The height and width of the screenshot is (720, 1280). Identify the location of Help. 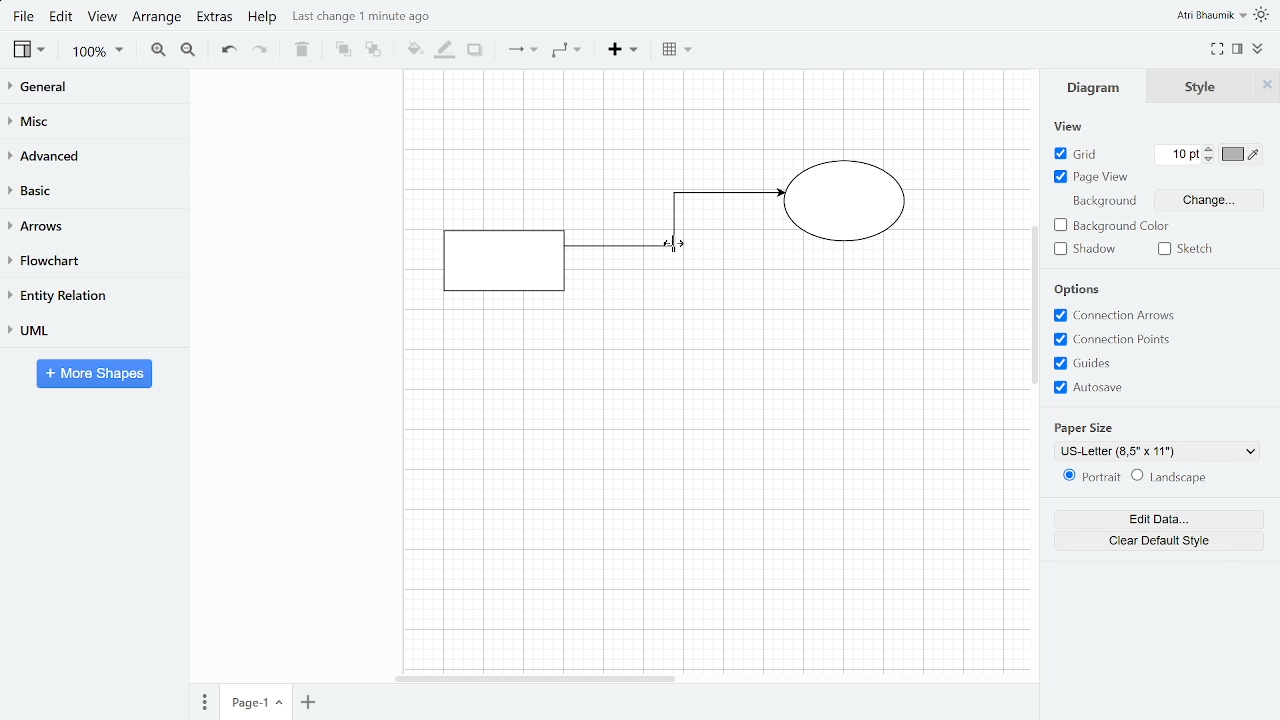
(263, 18).